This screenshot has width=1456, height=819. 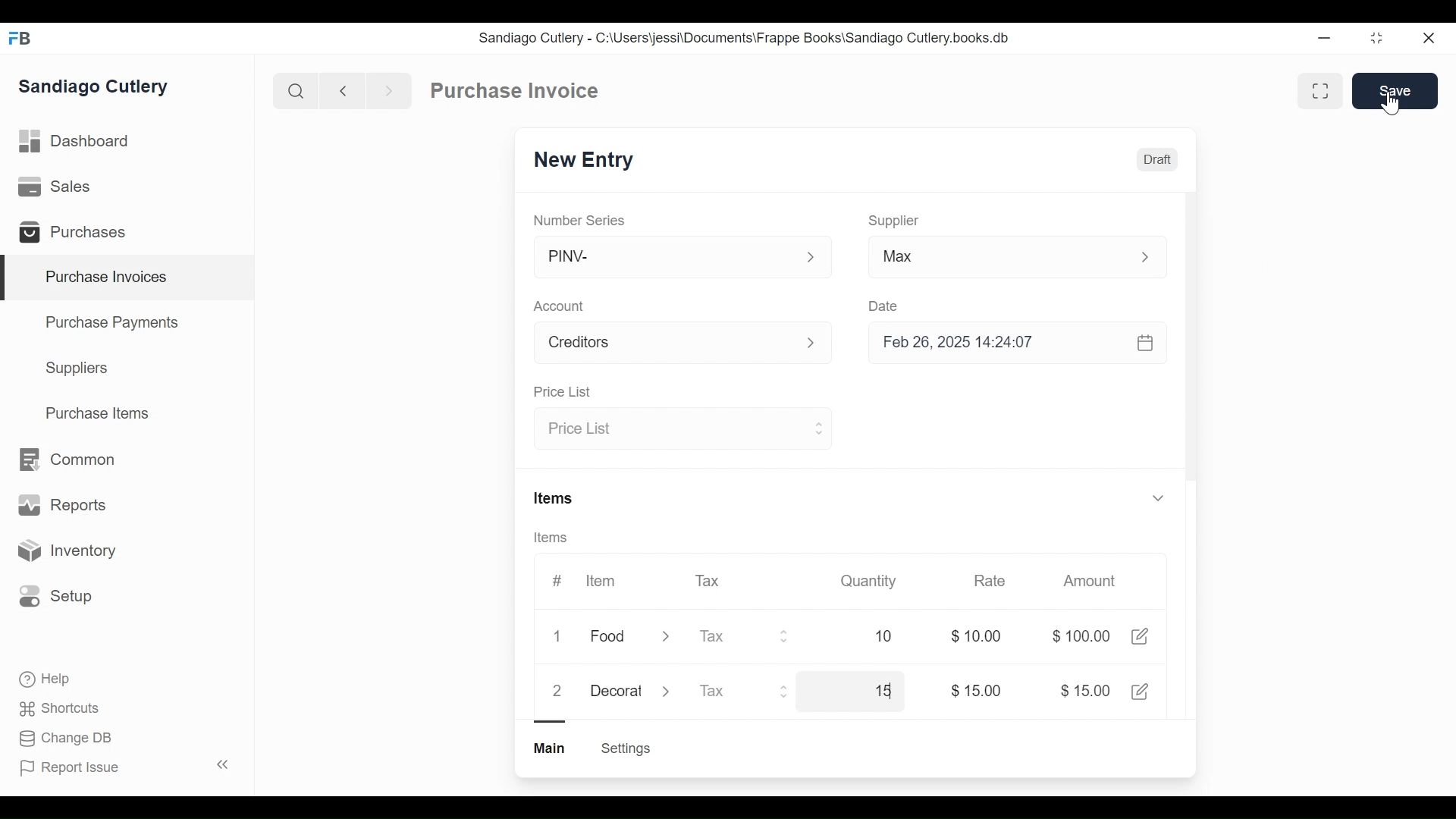 I want to click on Naviagate back, so click(x=344, y=89).